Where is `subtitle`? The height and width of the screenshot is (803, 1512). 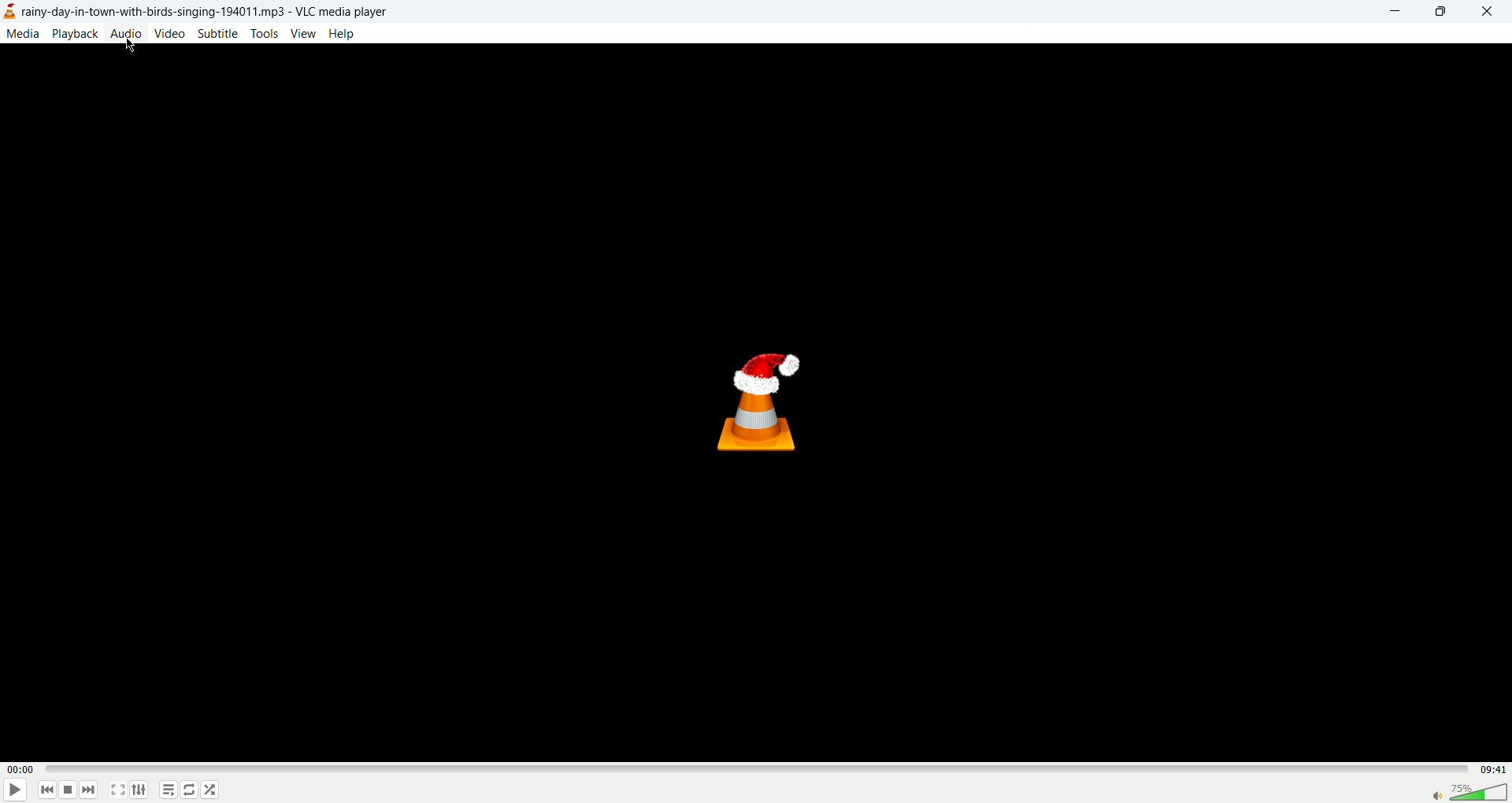 subtitle is located at coordinates (218, 35).